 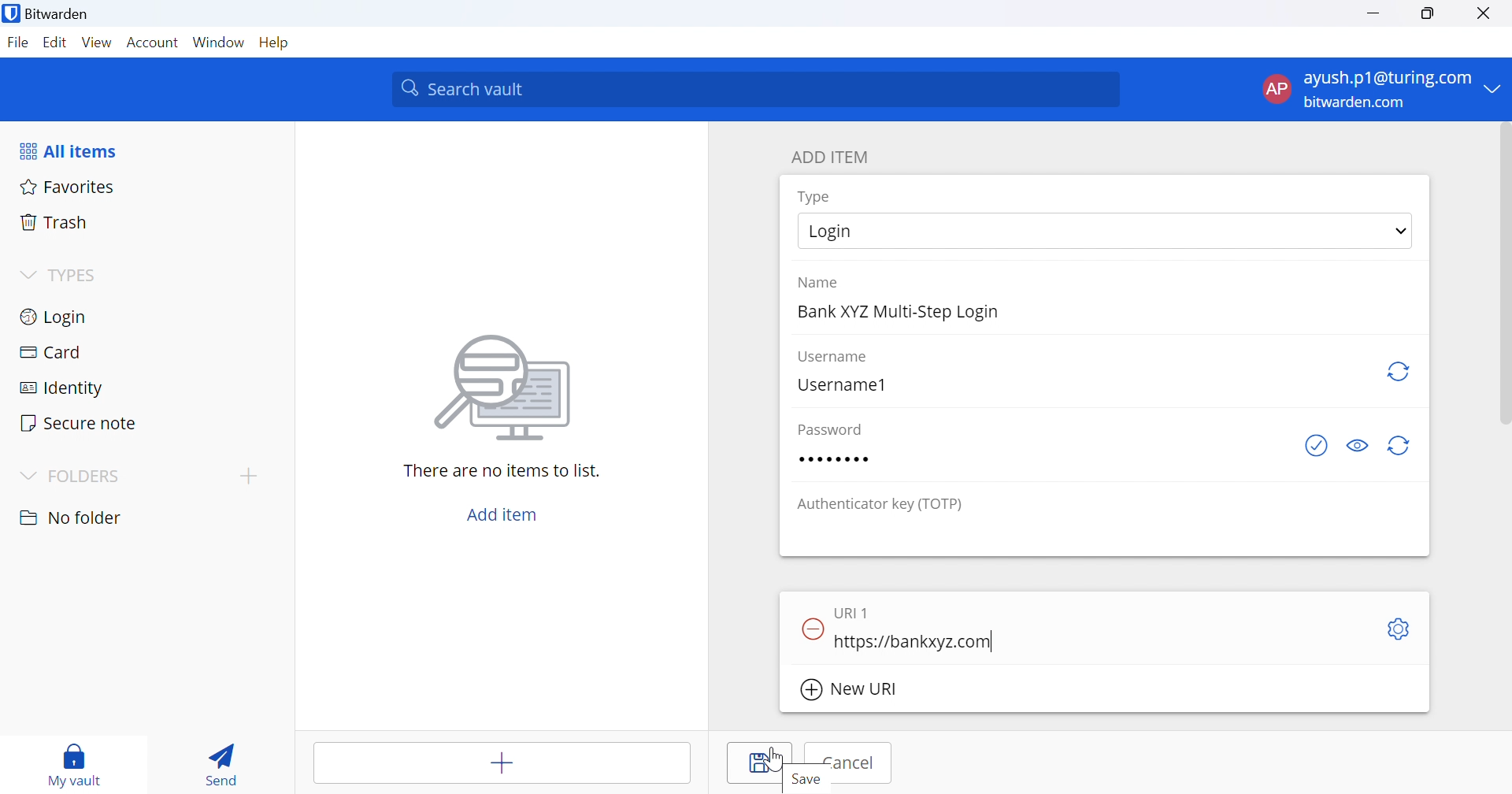 I want to click on File, so click(x=17, y=43).